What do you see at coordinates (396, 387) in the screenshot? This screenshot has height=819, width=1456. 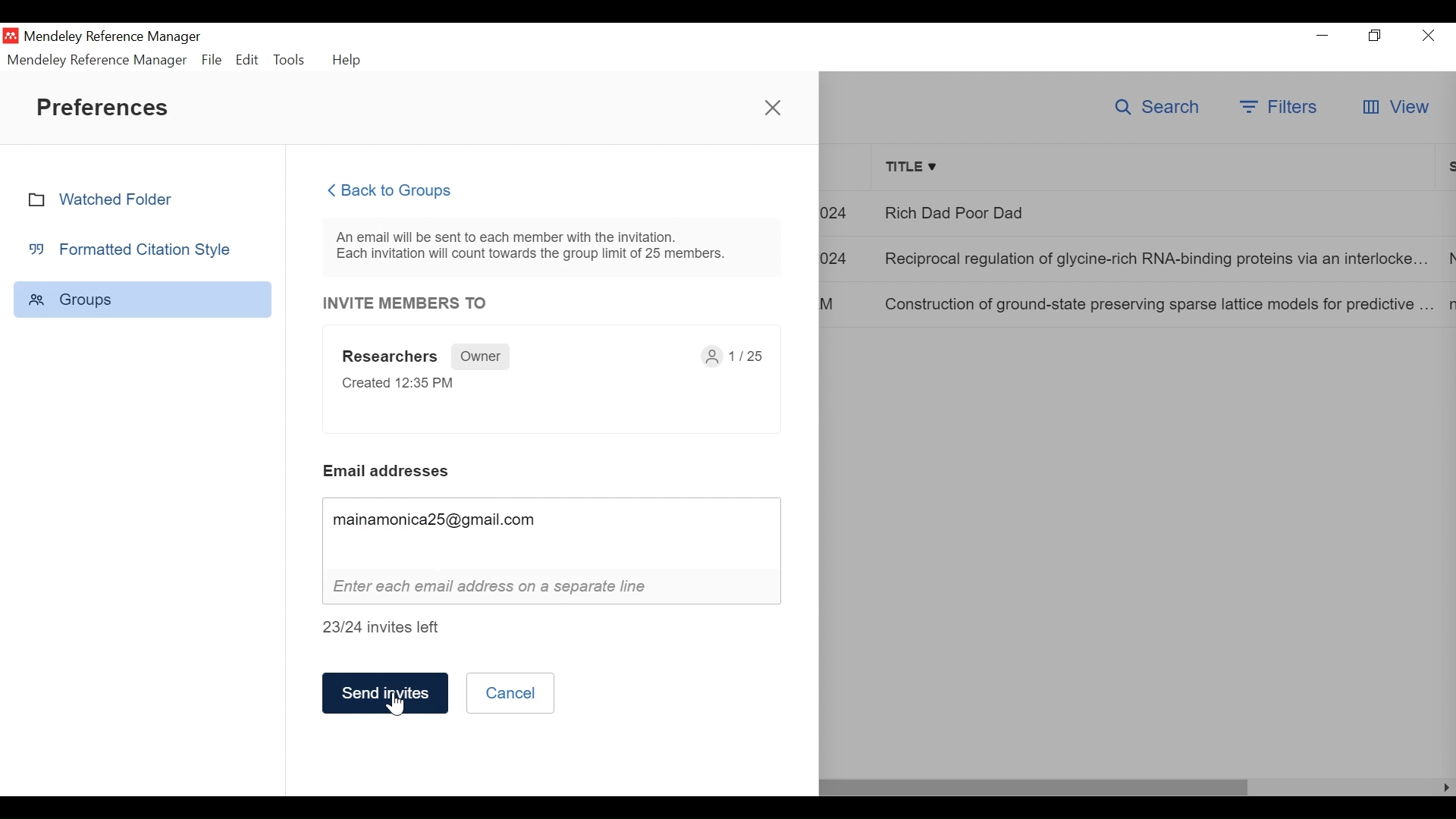 I see `Created 12:35 PM` at bounding box center [396, 387].